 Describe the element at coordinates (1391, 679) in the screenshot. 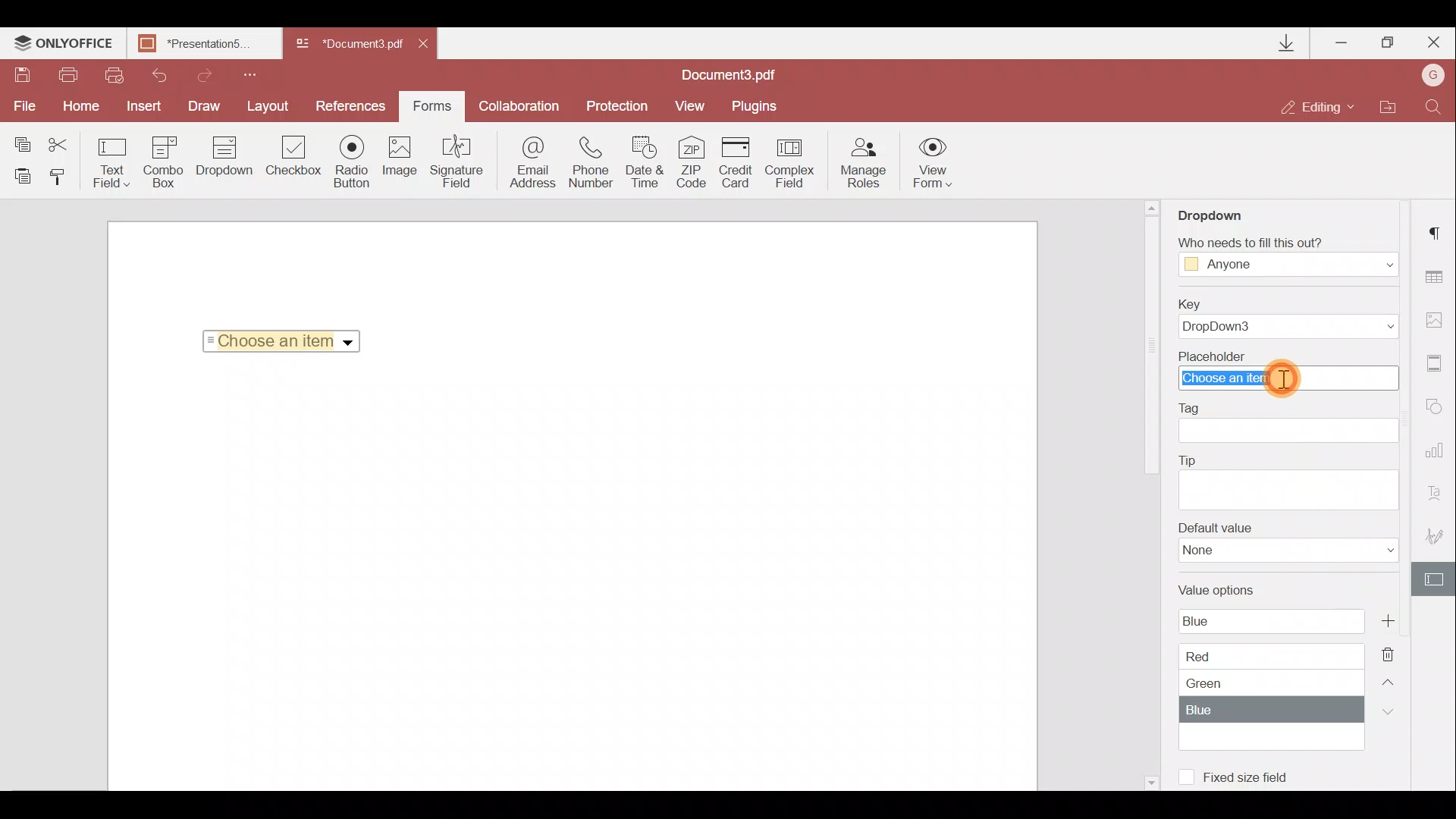

I see `Up` at that location.